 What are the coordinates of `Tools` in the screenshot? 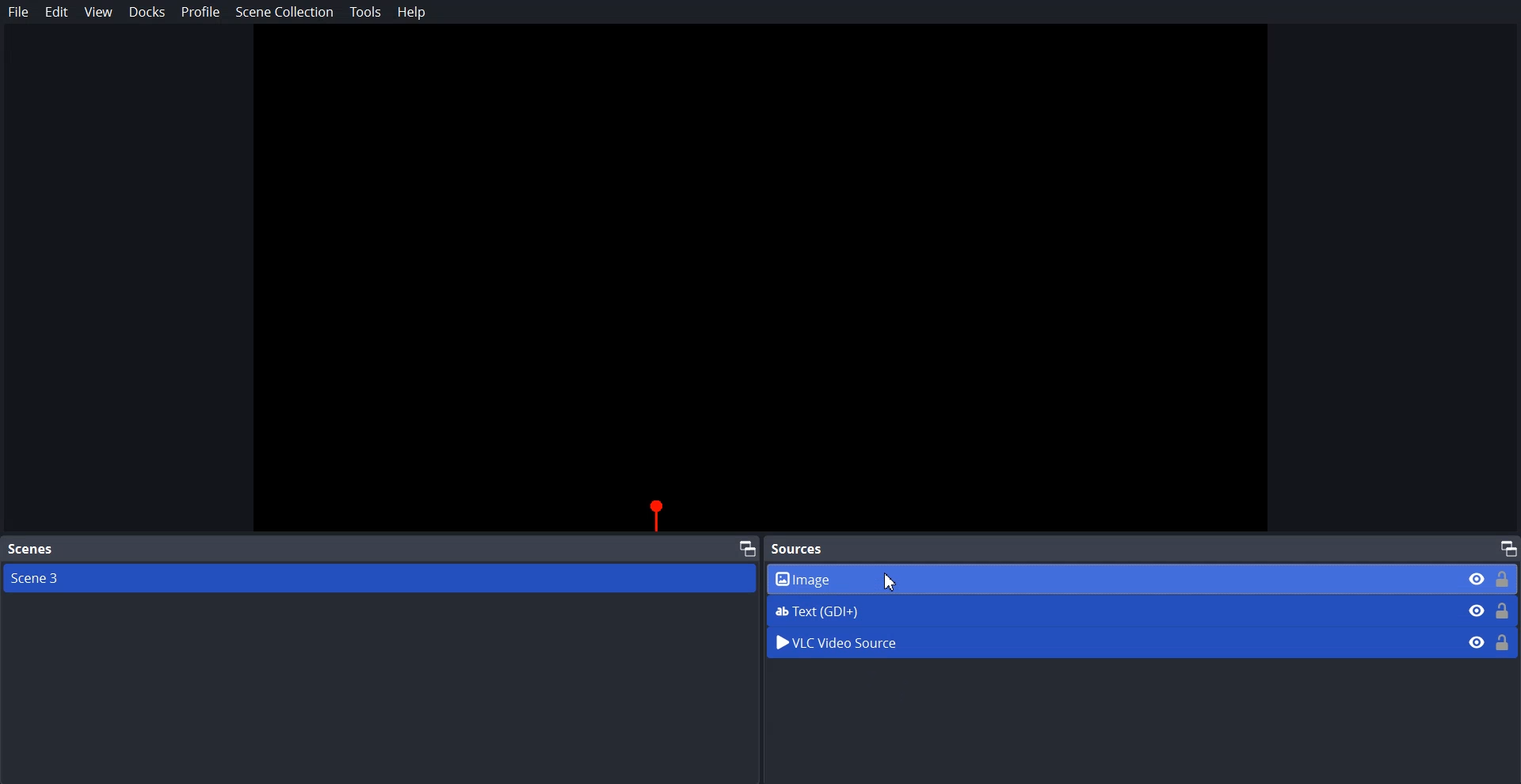 It's located at (366, 12).